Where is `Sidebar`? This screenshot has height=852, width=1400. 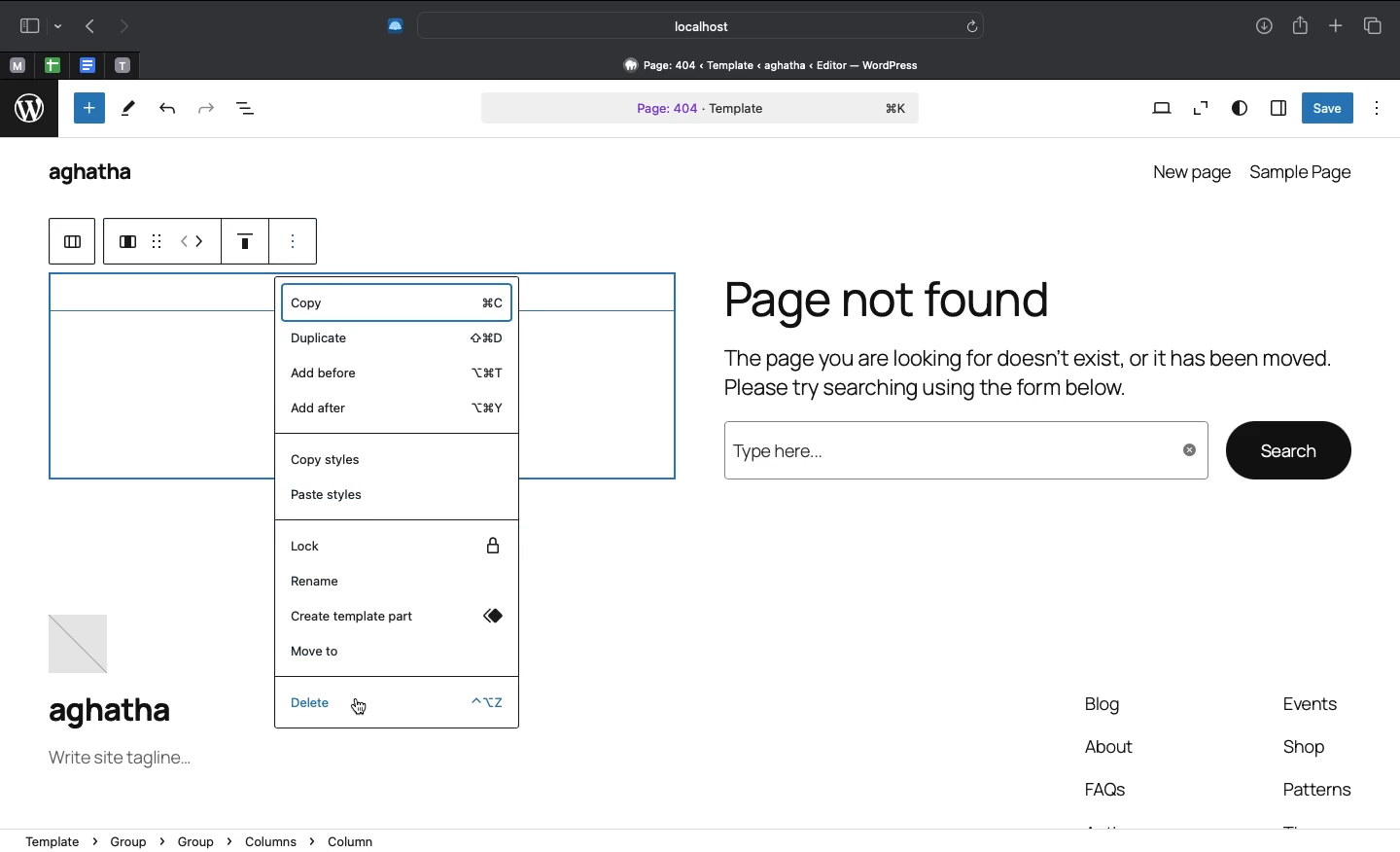
Sidebar is located at coordinates (1277, 107).